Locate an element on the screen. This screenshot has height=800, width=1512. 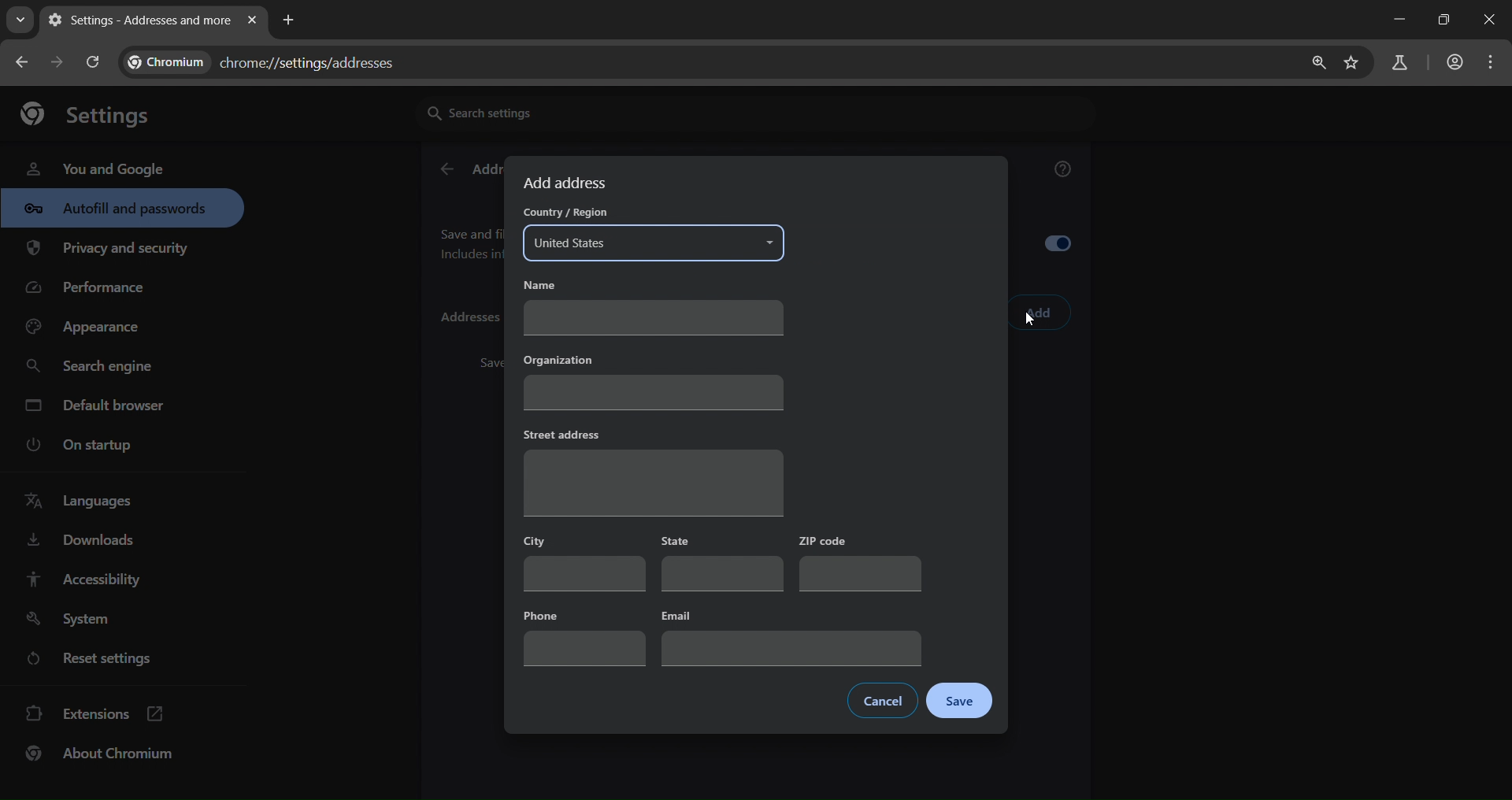
search engine is located at coordinates (94, 367).